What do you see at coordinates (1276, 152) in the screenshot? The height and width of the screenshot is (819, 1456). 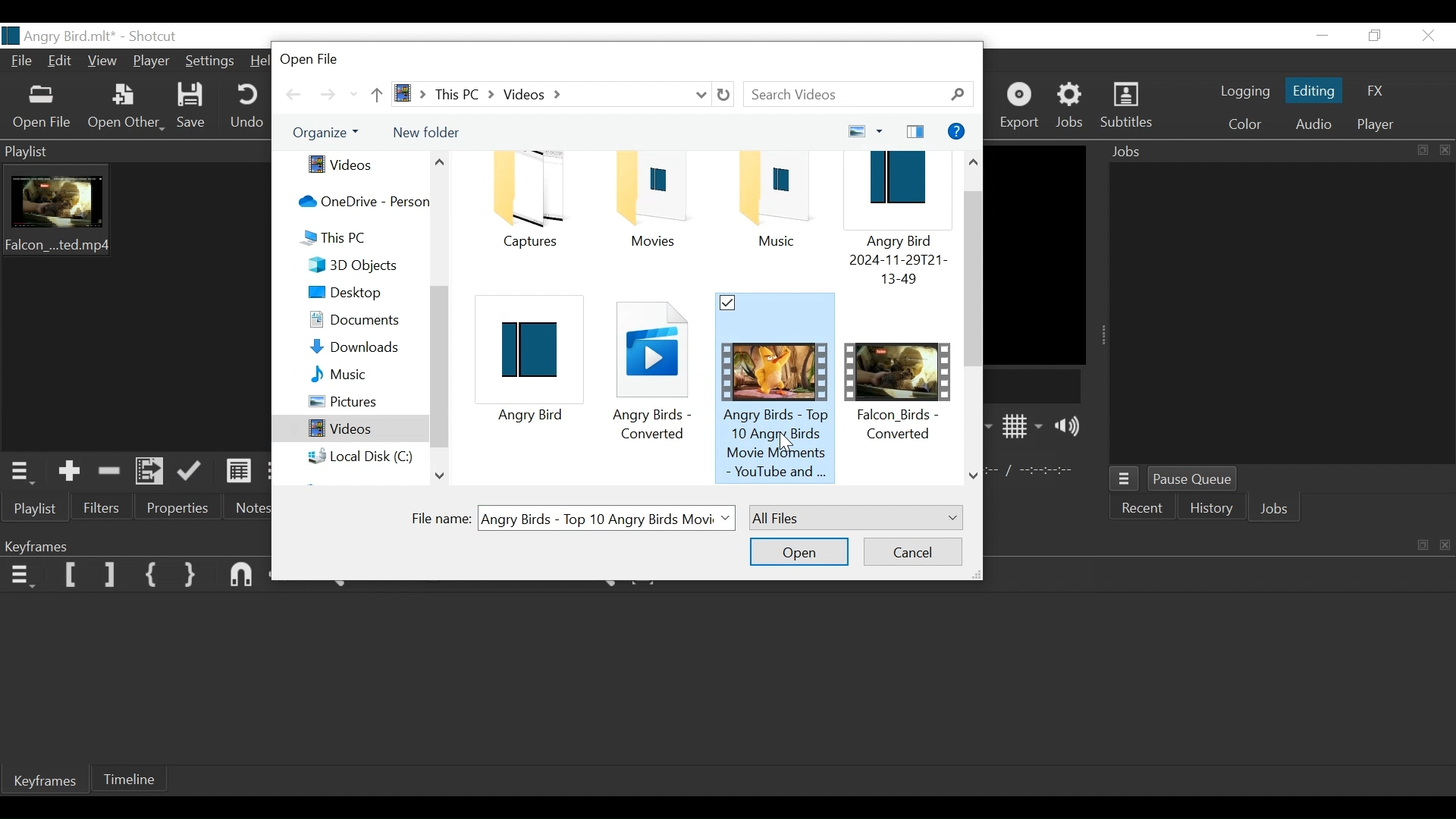 I see `Jobs` at bounding box center [1276, 152].